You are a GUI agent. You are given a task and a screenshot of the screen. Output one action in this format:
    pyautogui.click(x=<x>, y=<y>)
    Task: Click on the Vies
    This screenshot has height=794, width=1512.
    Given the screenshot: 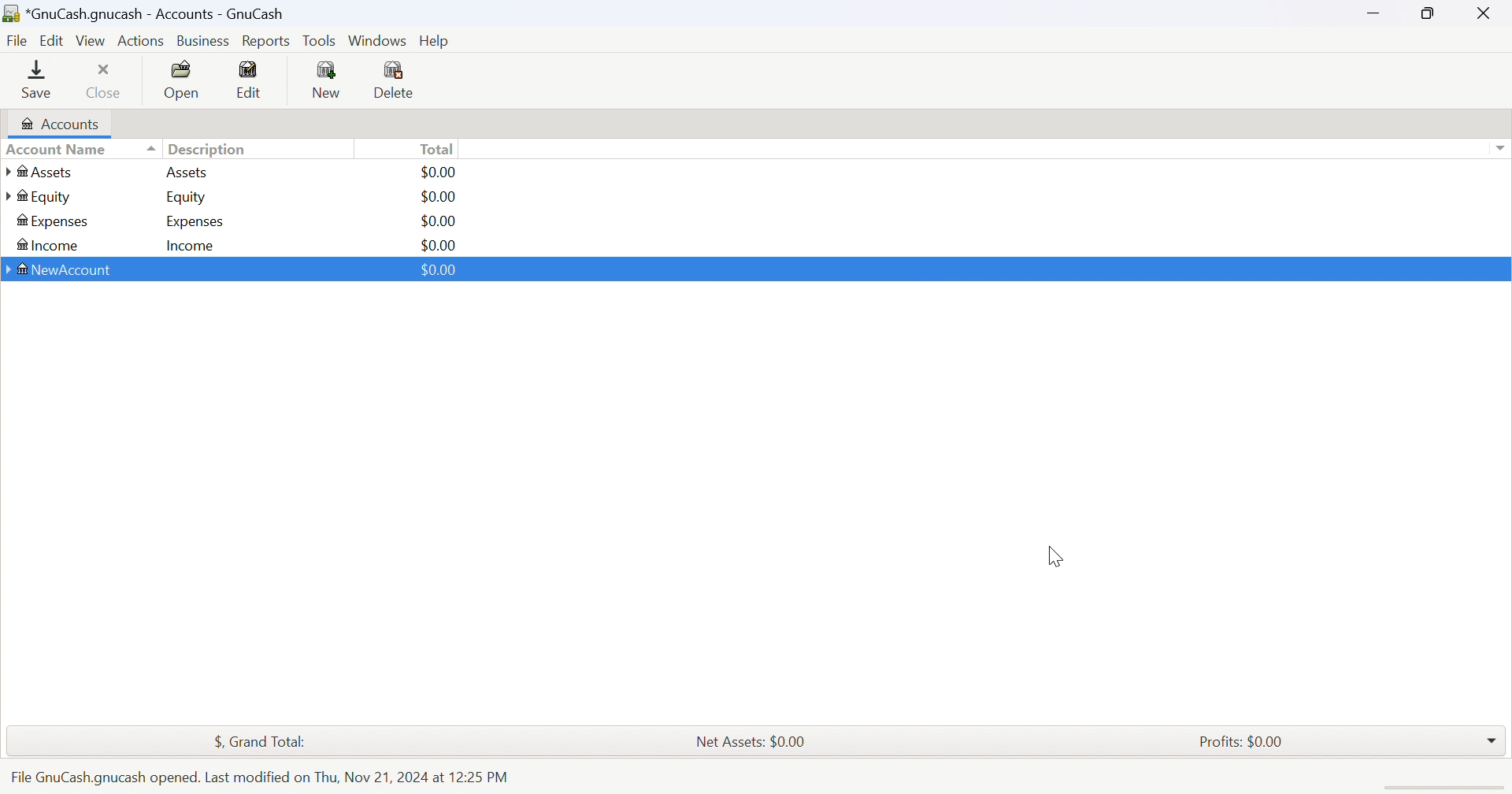 What is the action you would take?
    pyautogui.click(x=91, y=40)
    